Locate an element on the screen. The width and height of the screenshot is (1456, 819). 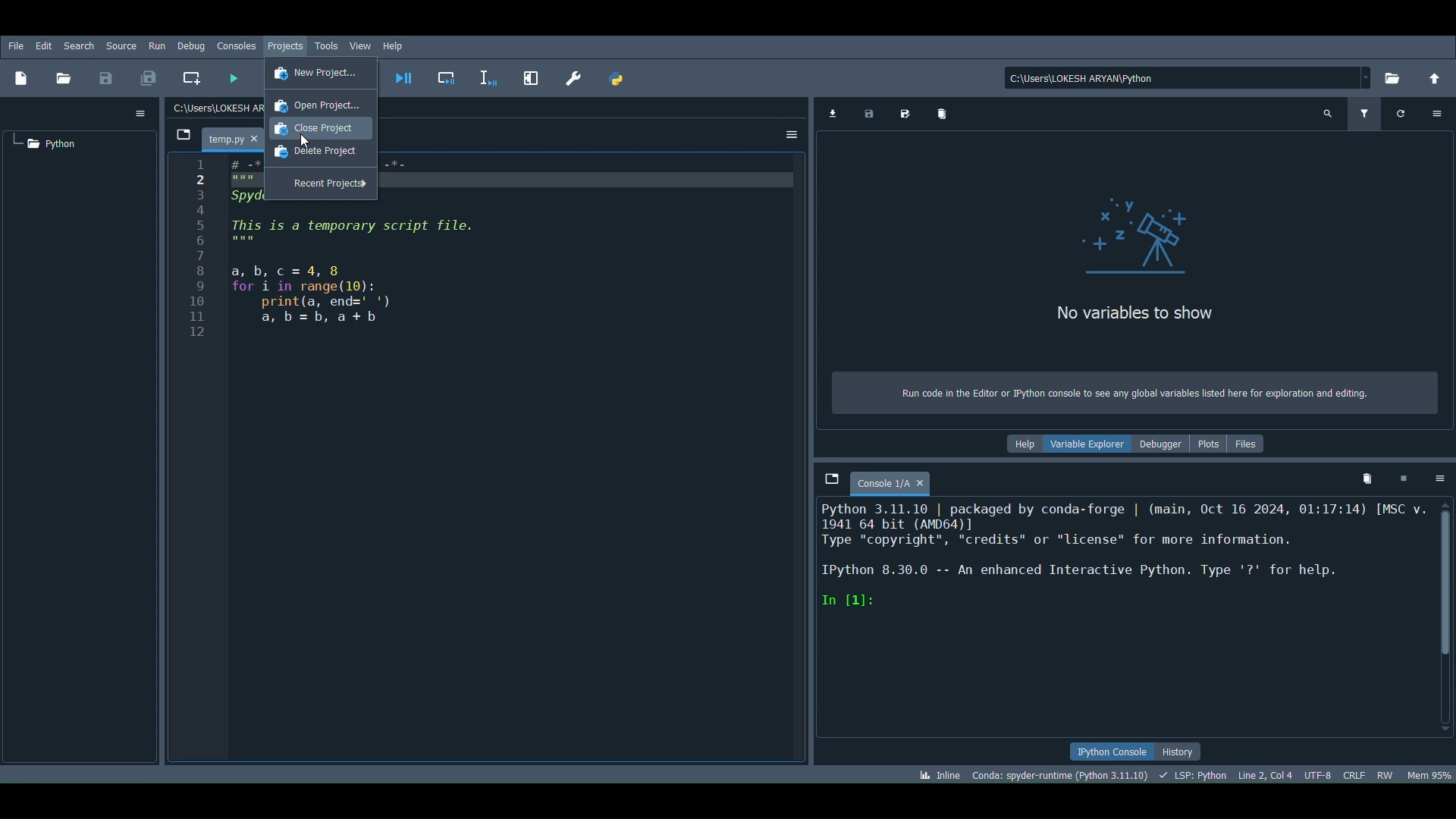
Remove all variables is located at coordinates (940, 113).